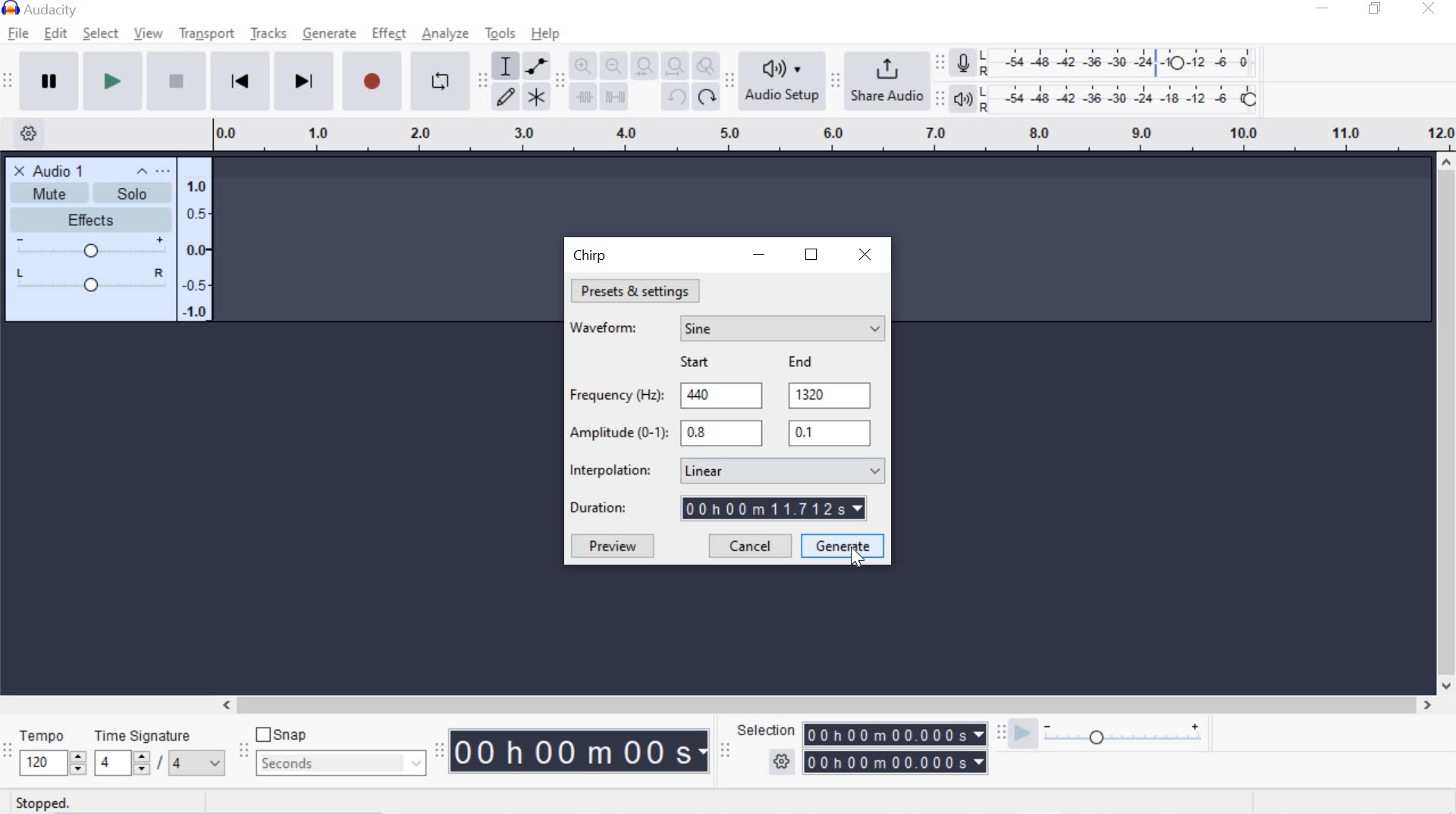 Image resolution: width=1456 pixels, height=814 pixels. I want to click on file, so click(17, 34).